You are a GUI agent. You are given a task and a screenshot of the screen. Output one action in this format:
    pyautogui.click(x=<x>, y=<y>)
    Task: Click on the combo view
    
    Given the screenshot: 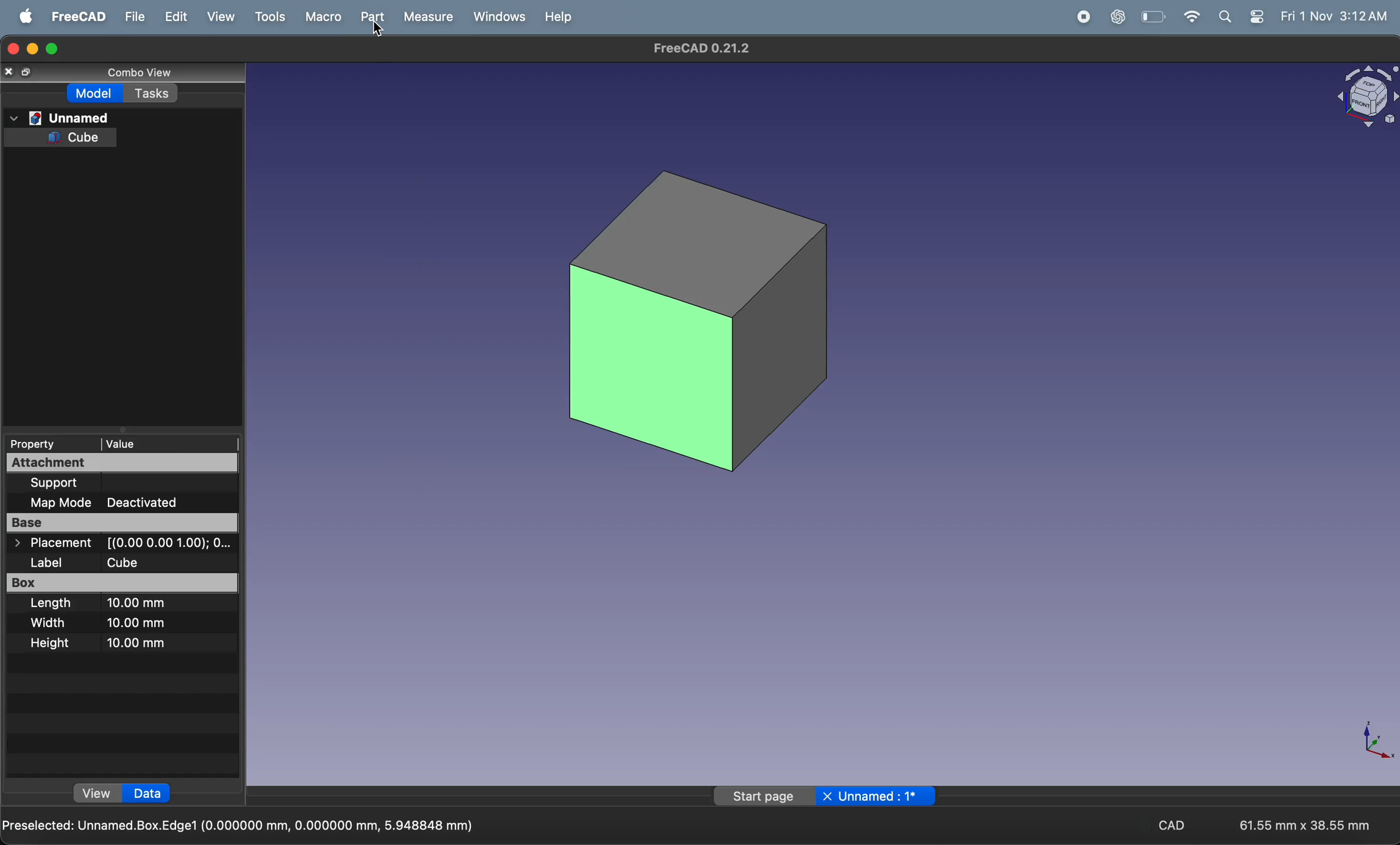 What is the action you would take?
    pyautogui.click(x=140, y=74)
    